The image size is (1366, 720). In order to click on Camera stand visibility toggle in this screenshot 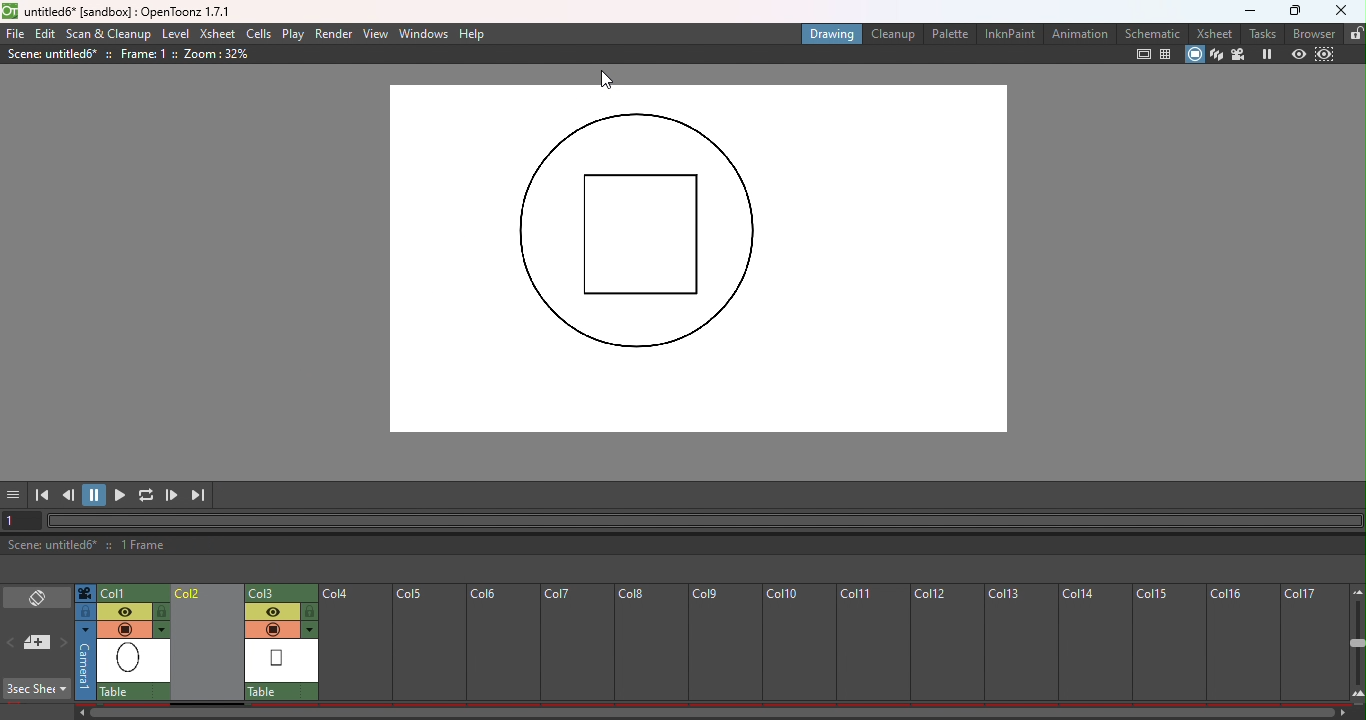, I will do `click(271, 629)`.